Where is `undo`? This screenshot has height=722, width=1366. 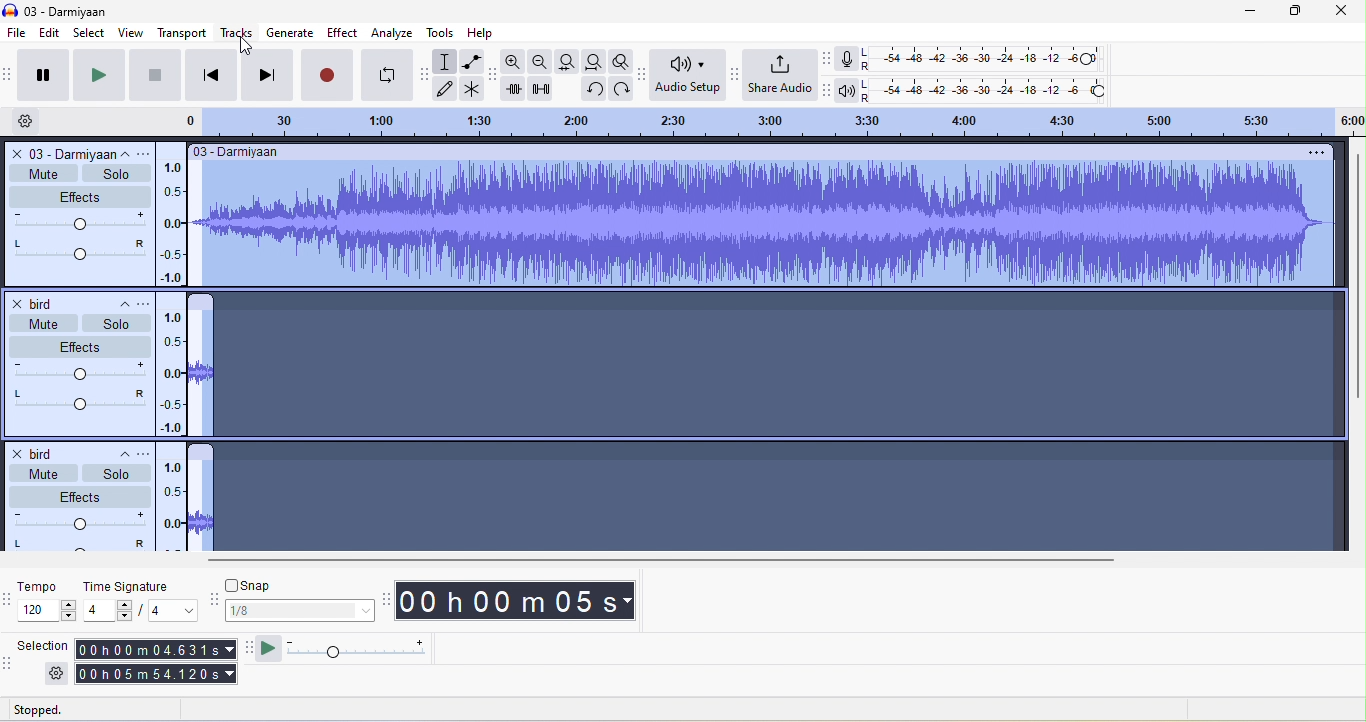 undo is located at coordinates (591, 88).